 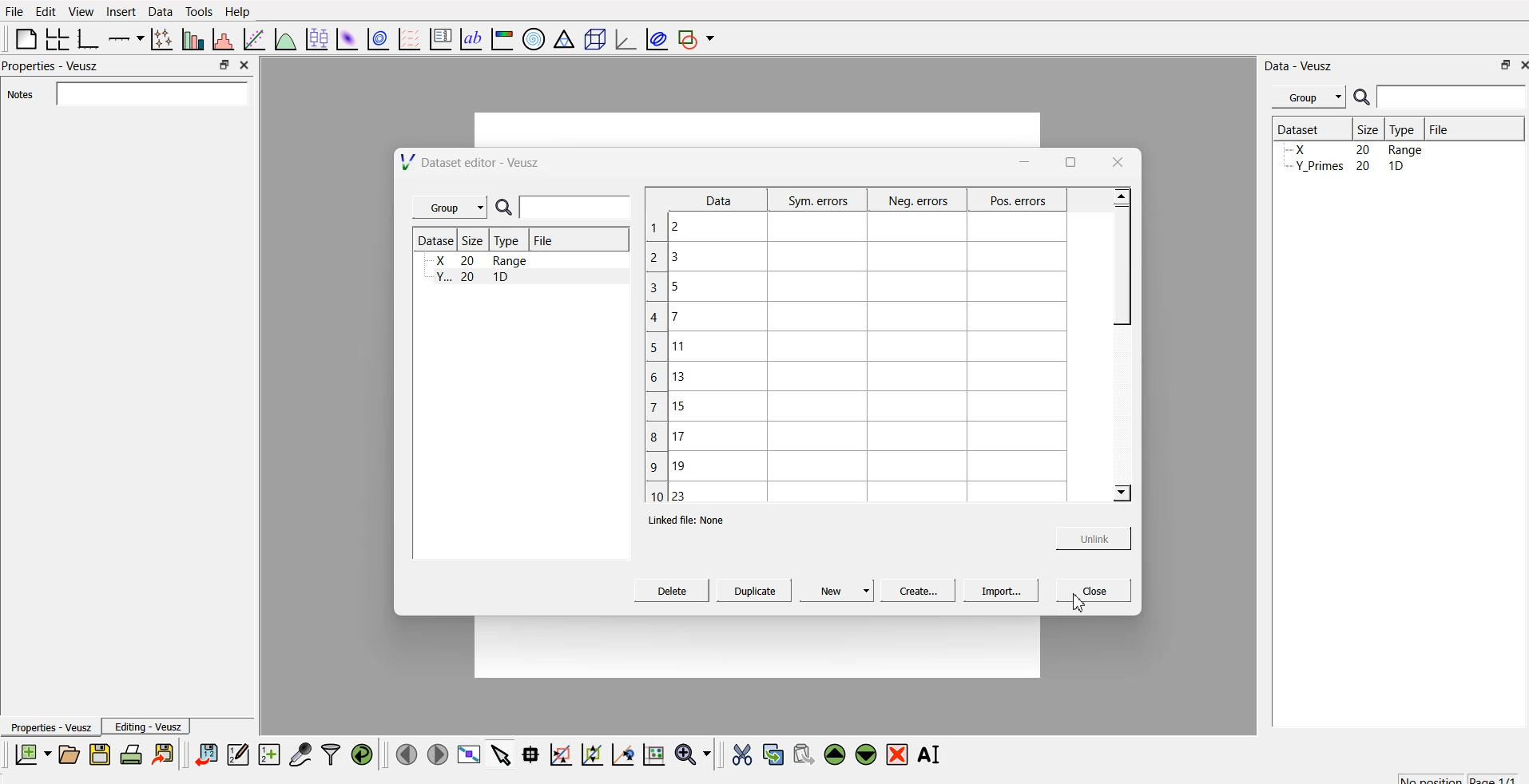 What do you see at coordinates (536, 40) in the screenshot?
I see `polar graph` at bounding box center [536, 40].